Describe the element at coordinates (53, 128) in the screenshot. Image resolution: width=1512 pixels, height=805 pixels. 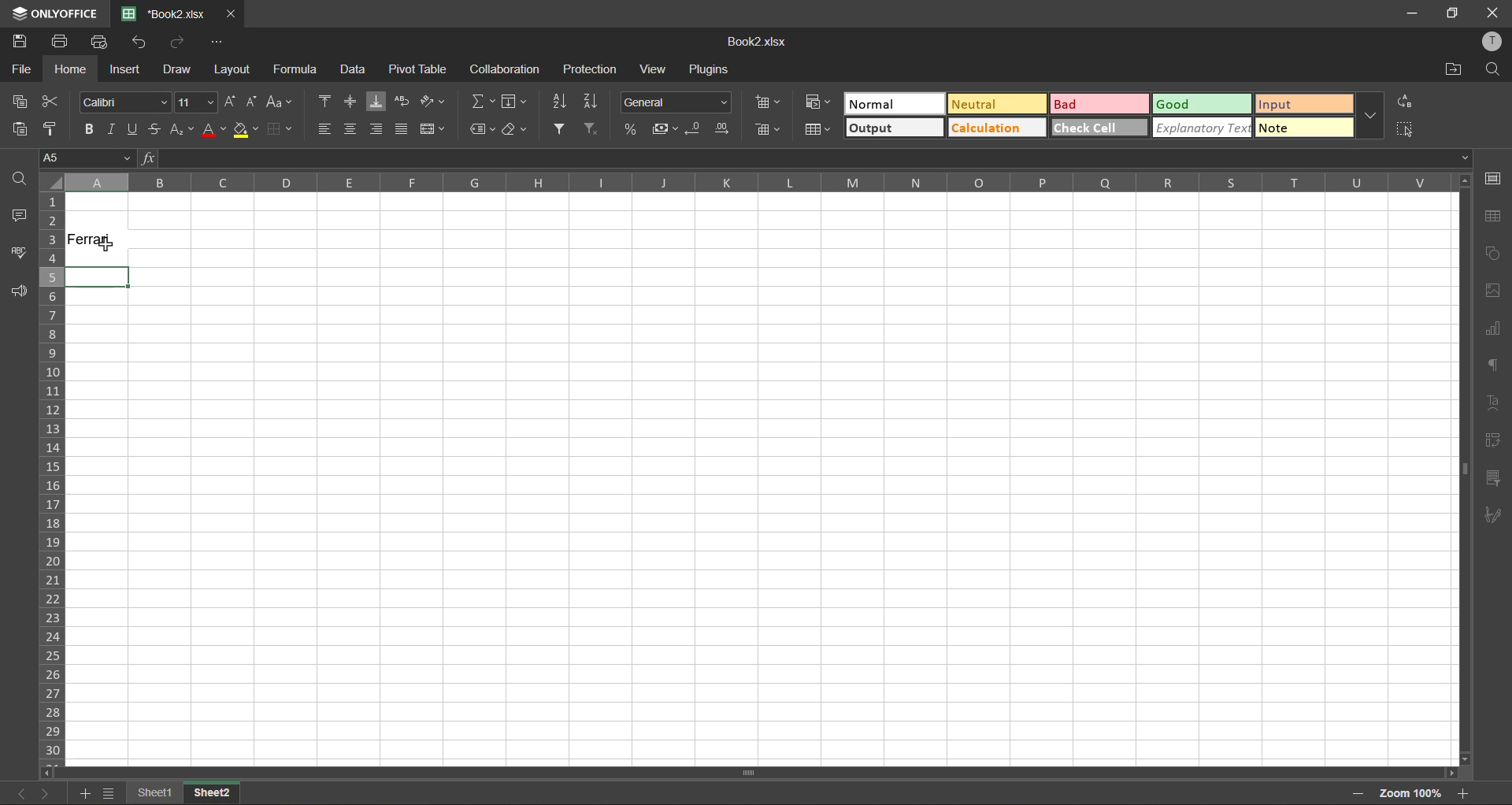
I see `copy style` at that location.